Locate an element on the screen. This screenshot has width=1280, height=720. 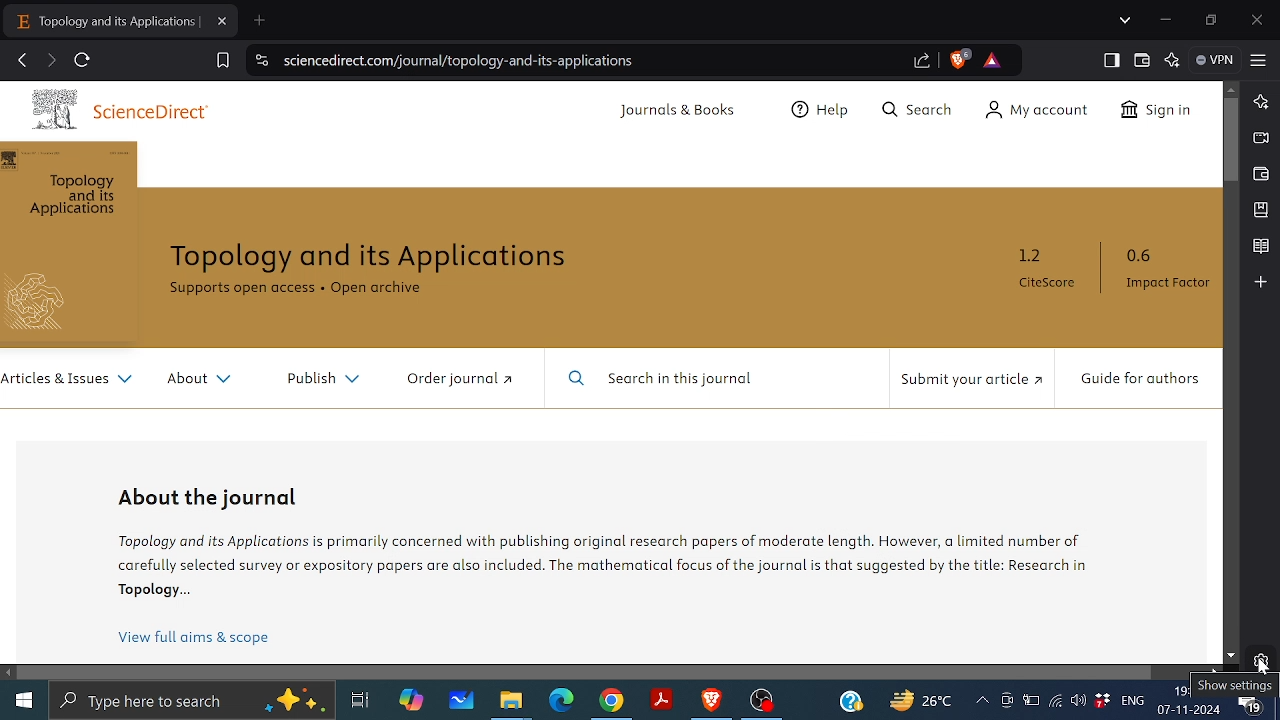
Task View is located at coordinates (360, 701).